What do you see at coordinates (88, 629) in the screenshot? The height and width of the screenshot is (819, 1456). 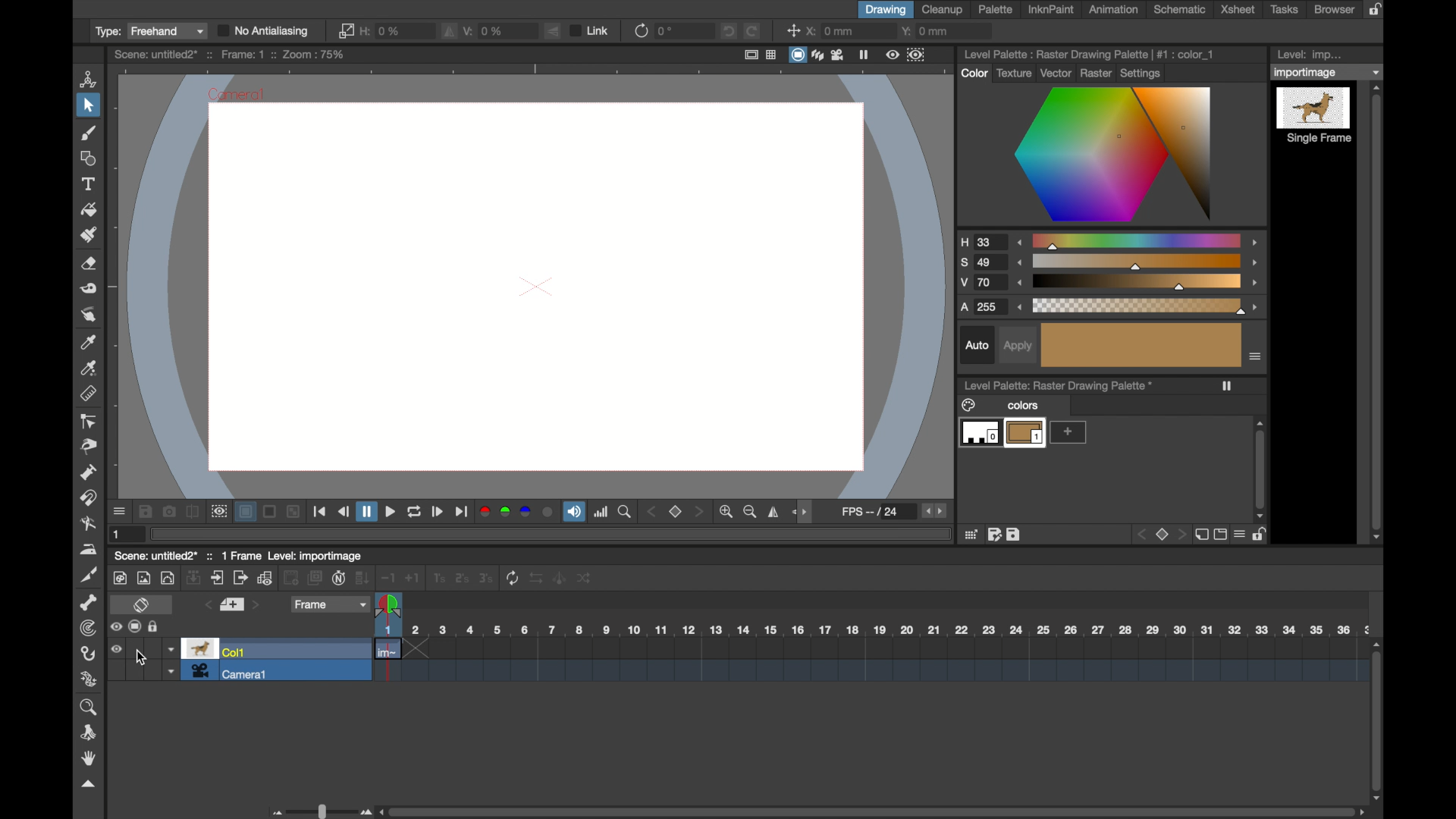 I see `tracker tool` at bounding box center [88, 629].